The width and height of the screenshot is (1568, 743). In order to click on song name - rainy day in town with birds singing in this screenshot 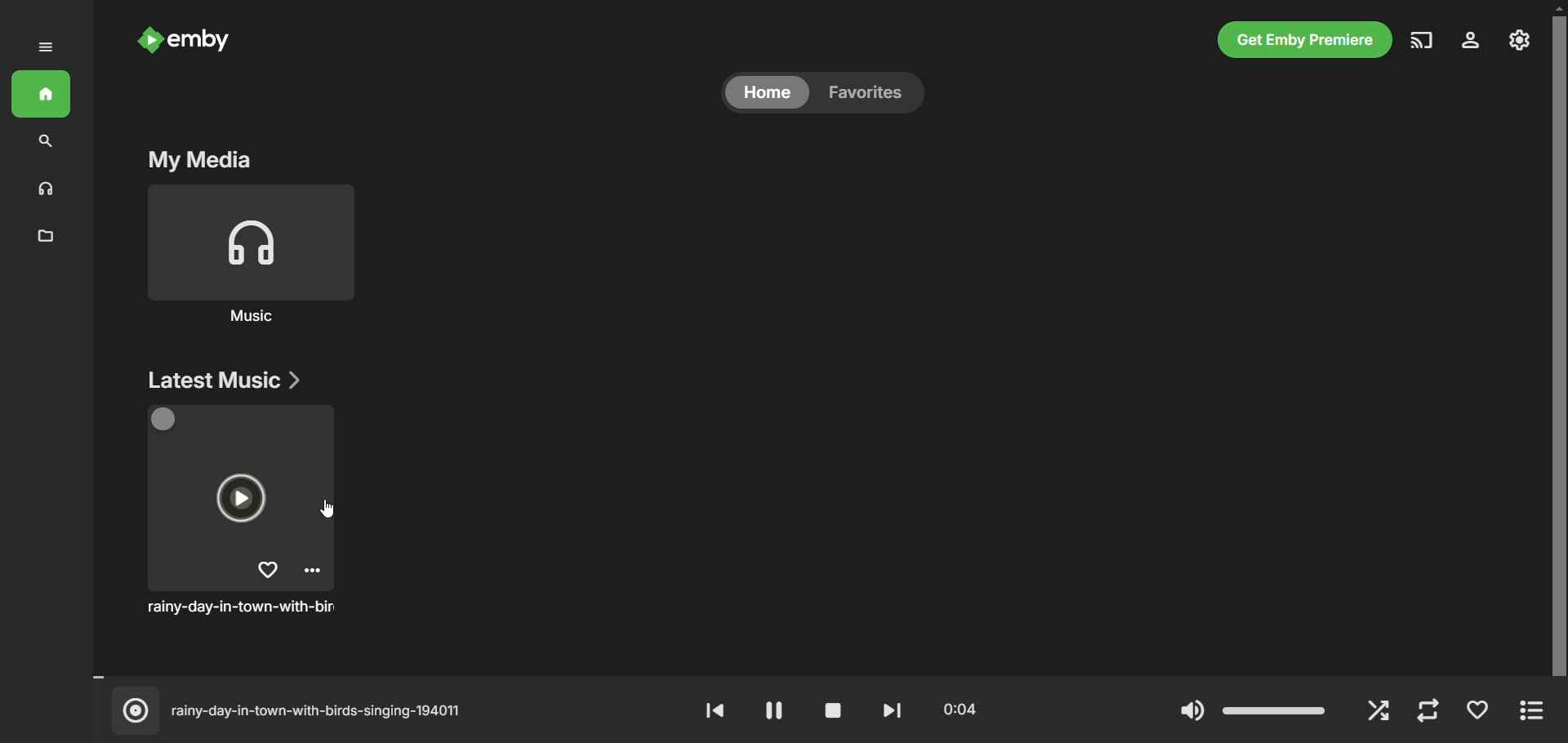, I will do `click(244, 608)`.